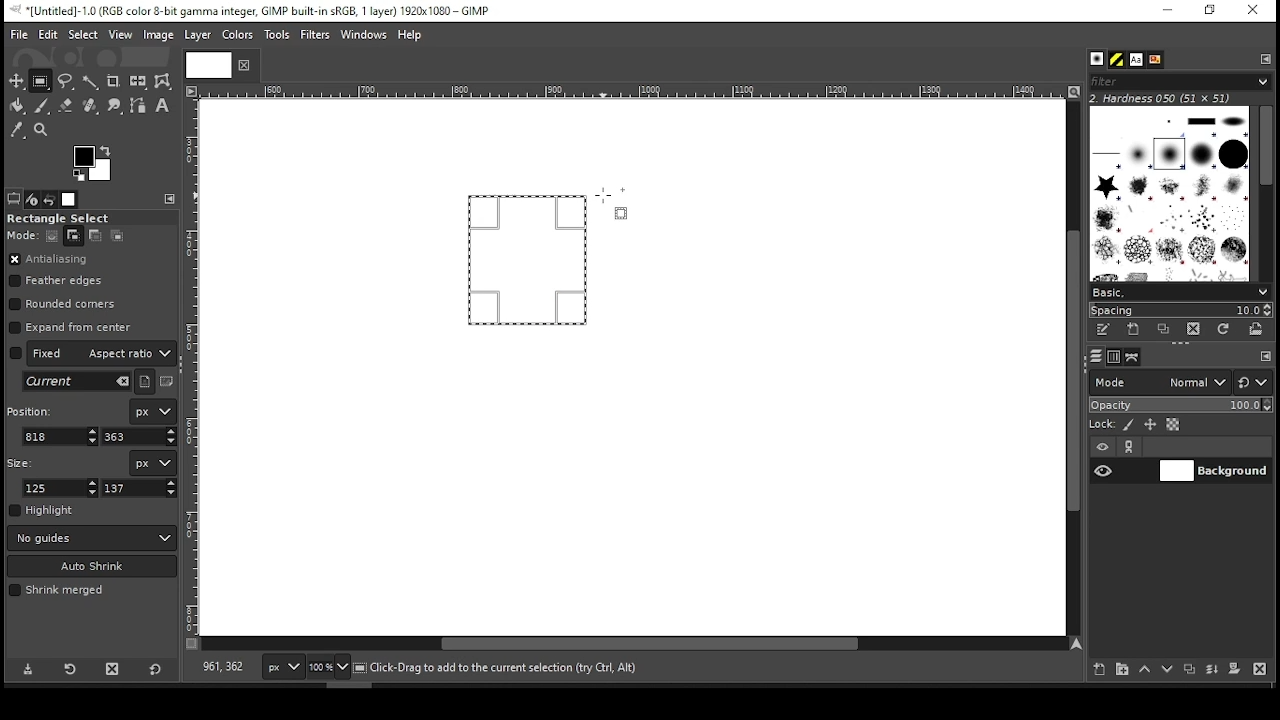  What do you see at coordinates (91, 82) in the screenshot?
I see `fuzzy selection tool` at bounding box center [91, 82].